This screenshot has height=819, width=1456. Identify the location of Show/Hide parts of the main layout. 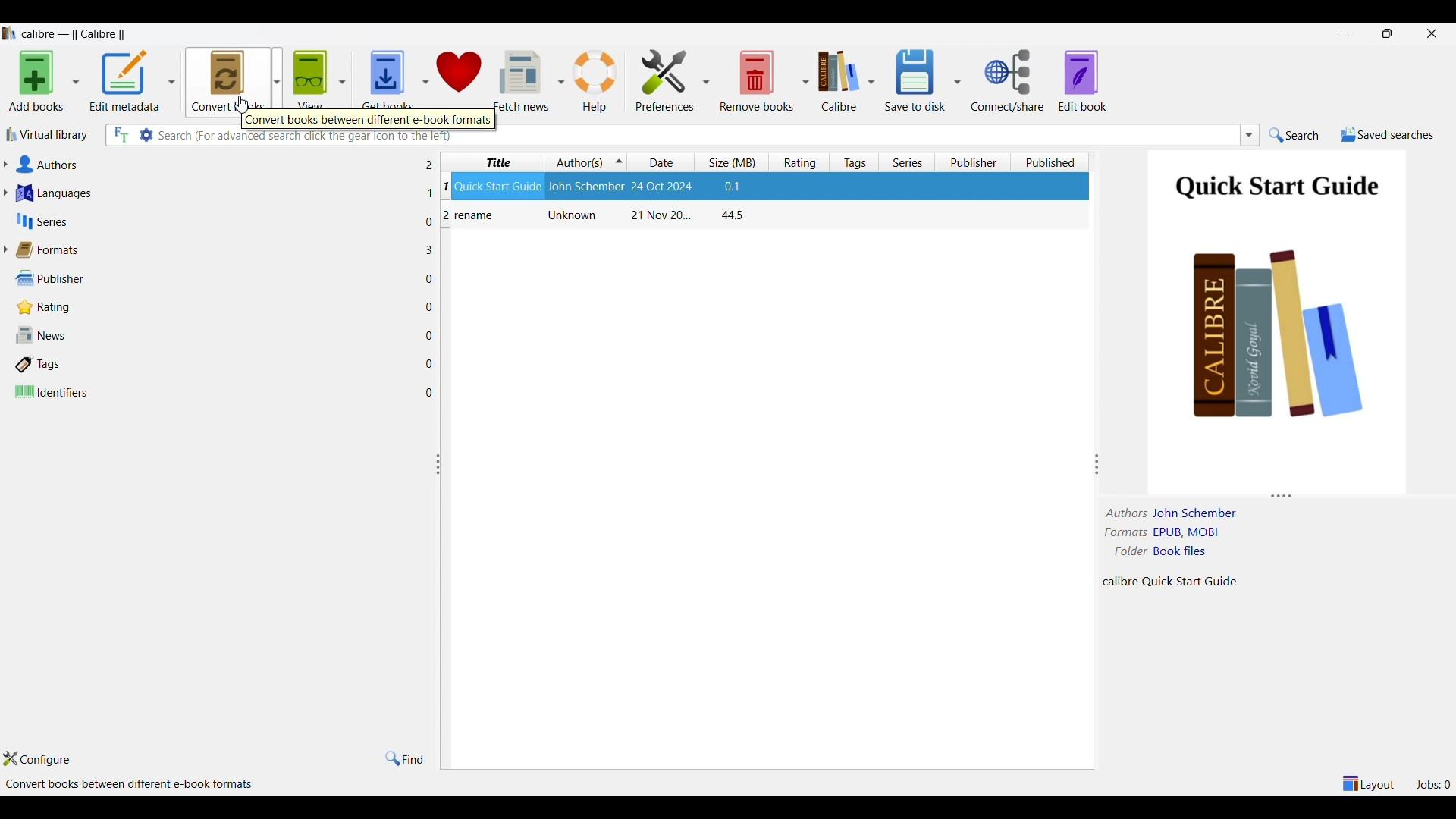
(1370, 783).